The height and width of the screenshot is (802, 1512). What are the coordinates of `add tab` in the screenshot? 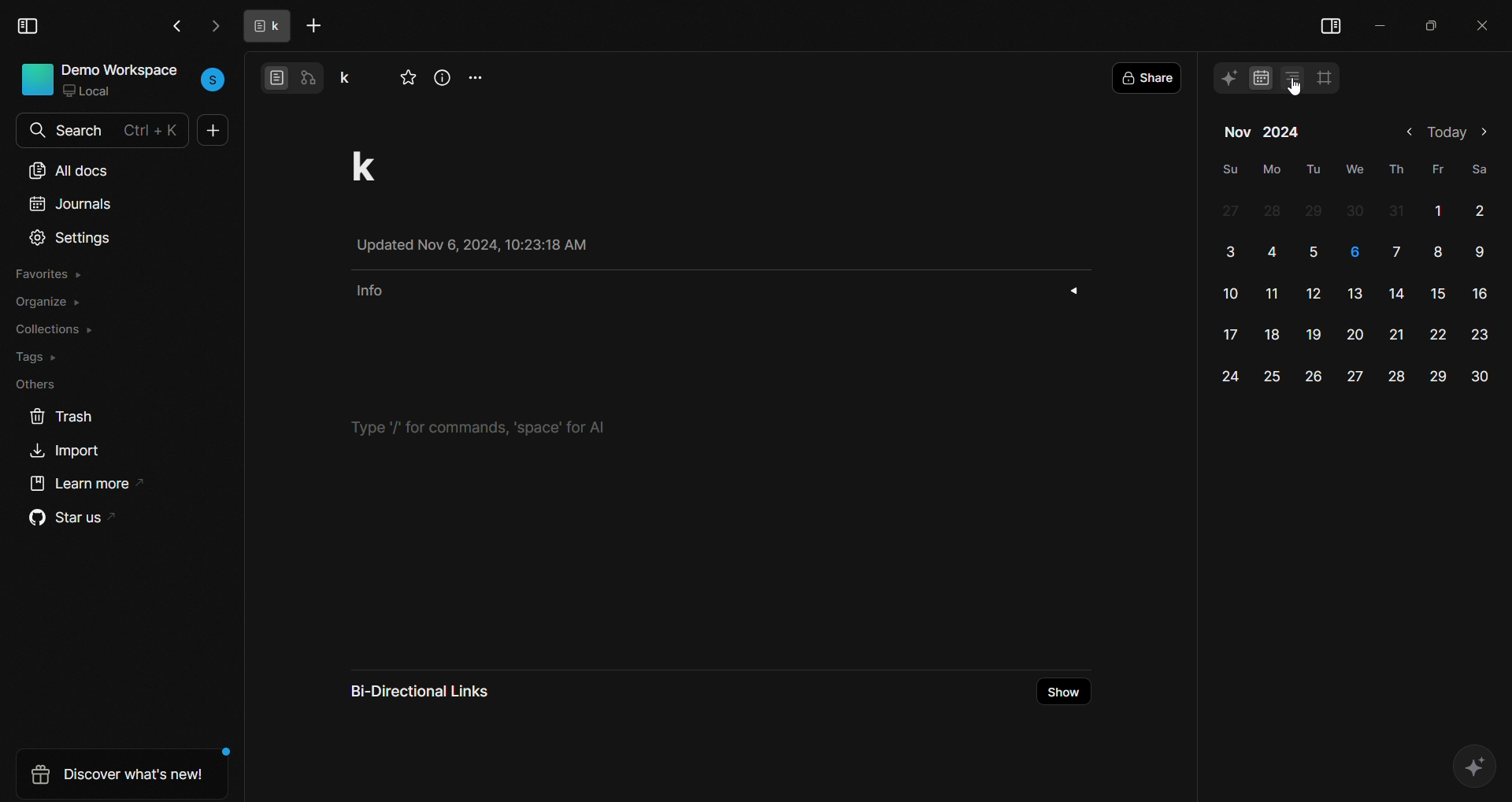 It's located at (317, 26).